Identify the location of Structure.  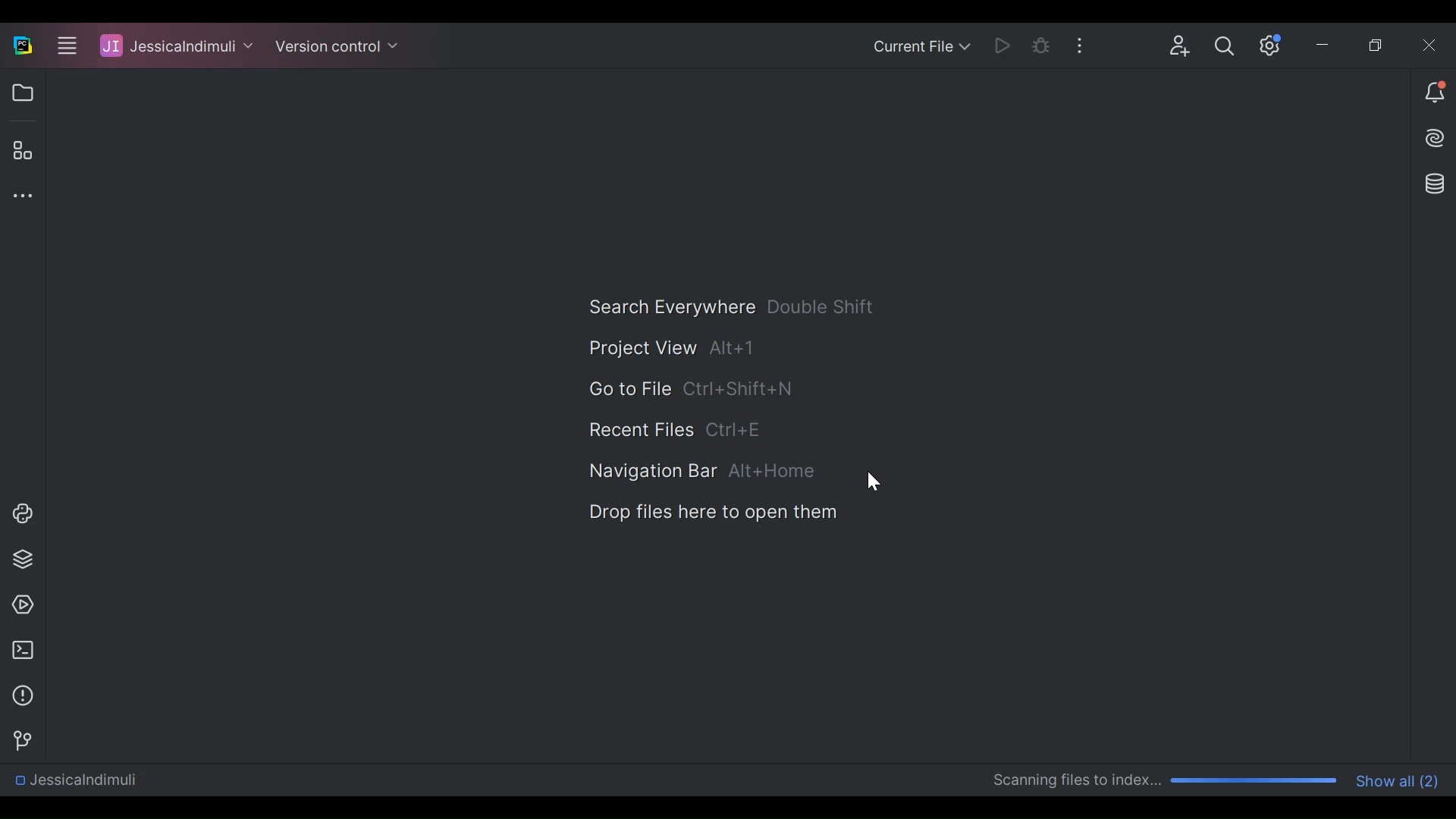
(21, 151).